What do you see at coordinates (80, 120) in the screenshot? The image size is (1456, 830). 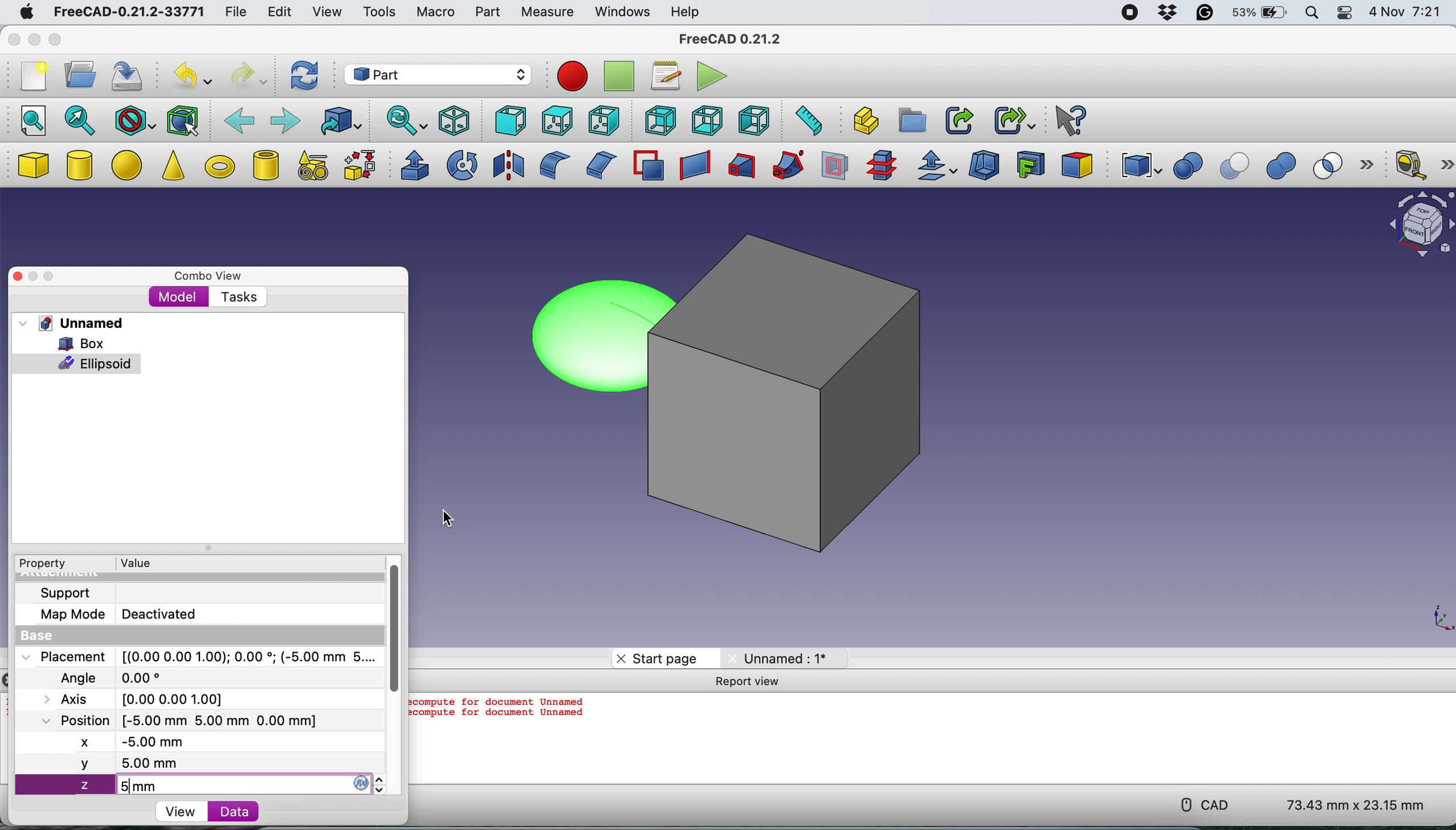 I see `fit selection` at bounding box center [80, 120].